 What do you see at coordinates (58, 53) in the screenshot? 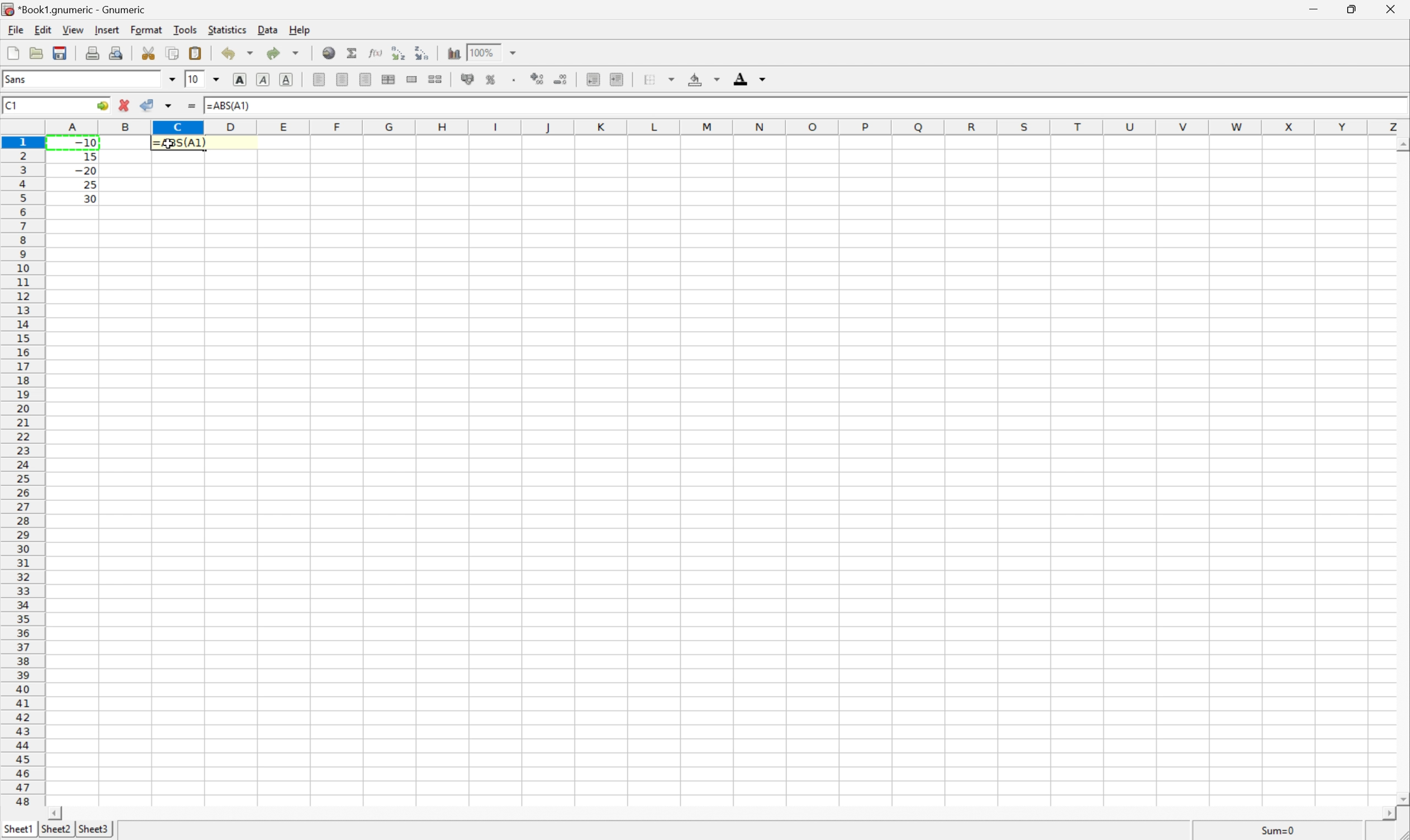
I see `Open mobile file` at bounding box center [58, 53].